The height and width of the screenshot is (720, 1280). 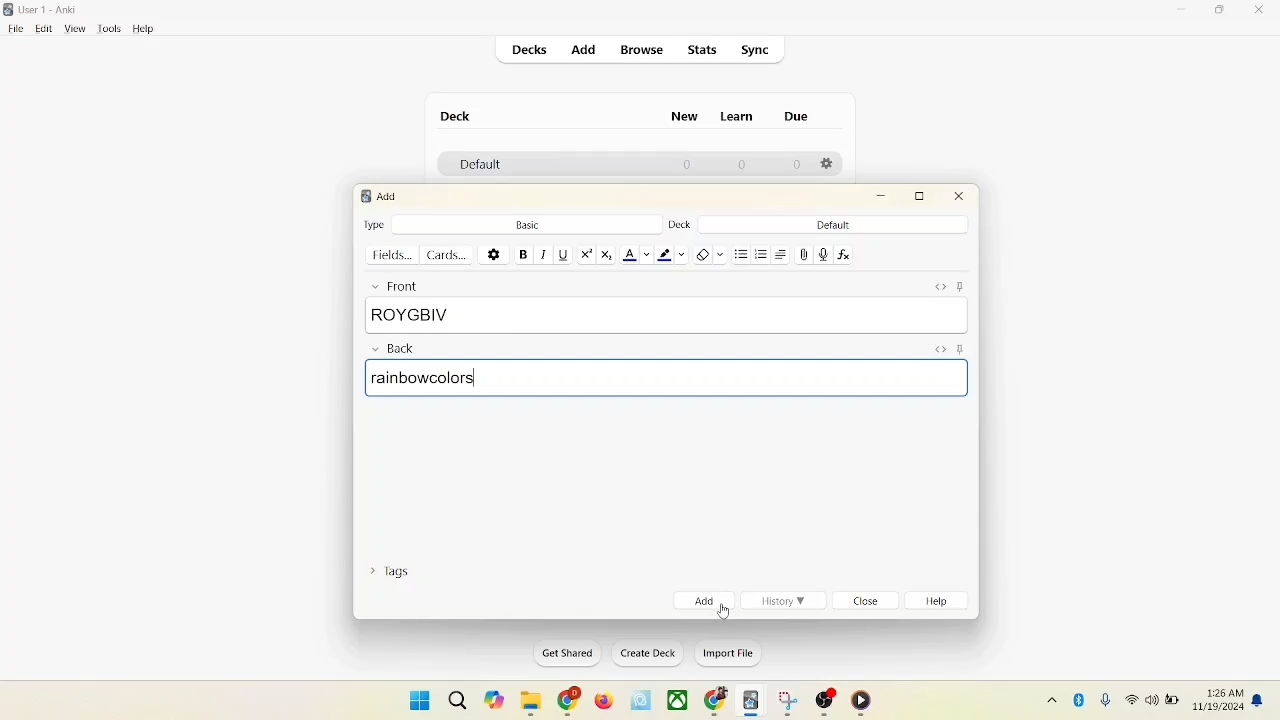 What do you see at coordinates (392, 350) in the screenshot?
I see `back` at bounding box center [392, 350].